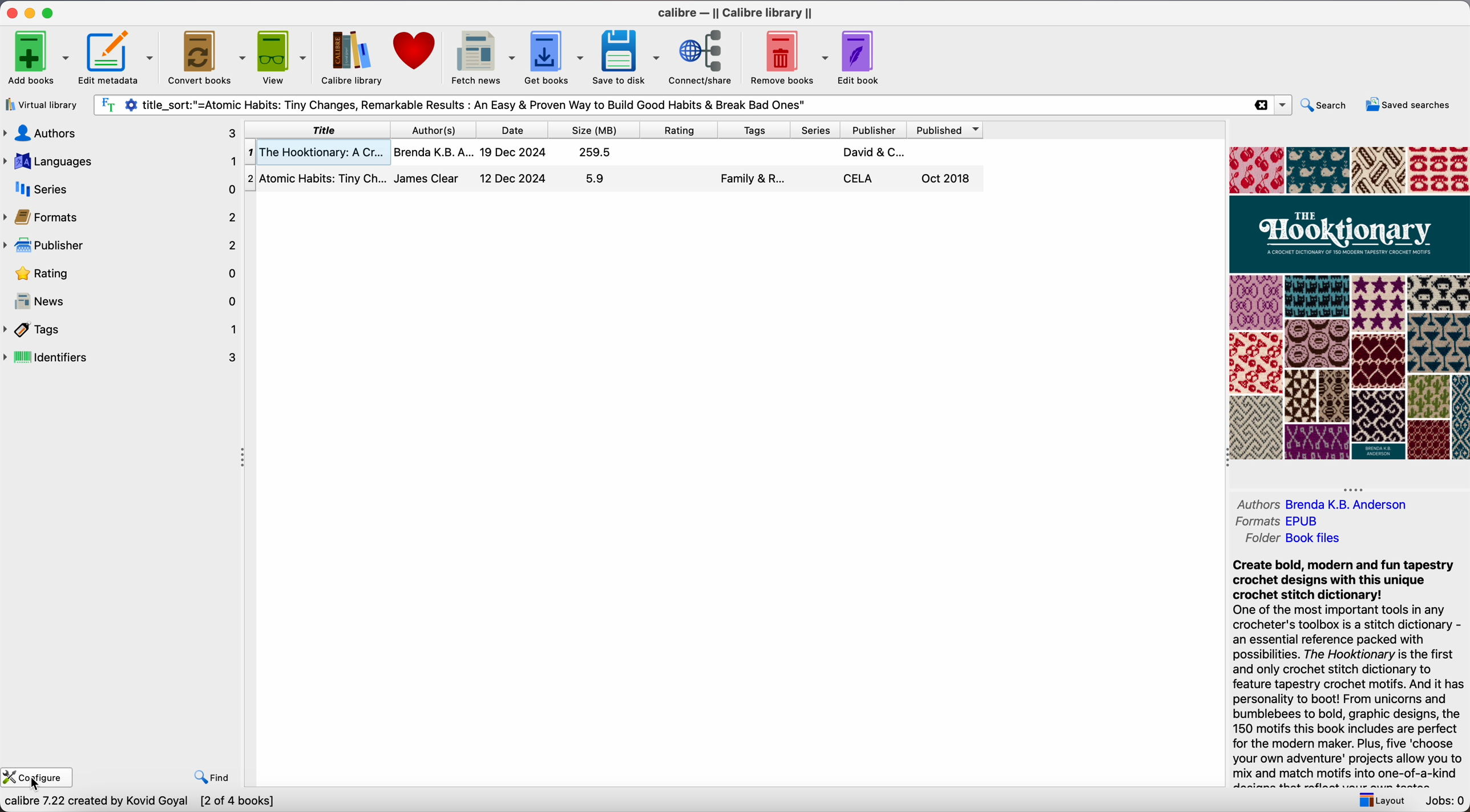  What do you see at coordinates (317, 176) in the screenshot?
I see `Atomic Habits: Tiny Ch..` at bounding box center [317, 176].